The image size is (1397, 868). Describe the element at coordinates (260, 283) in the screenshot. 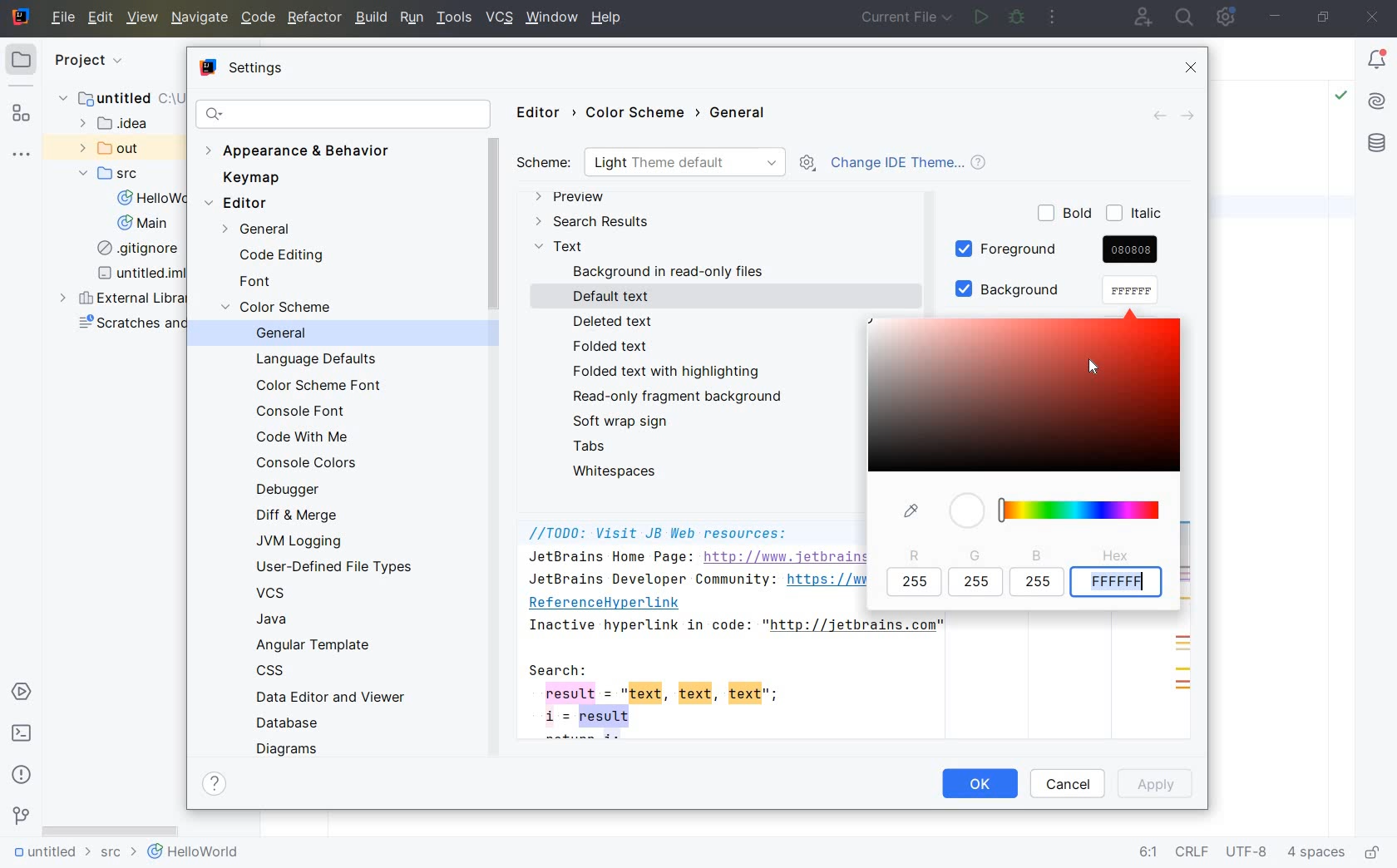

I see `FONT` at that location.